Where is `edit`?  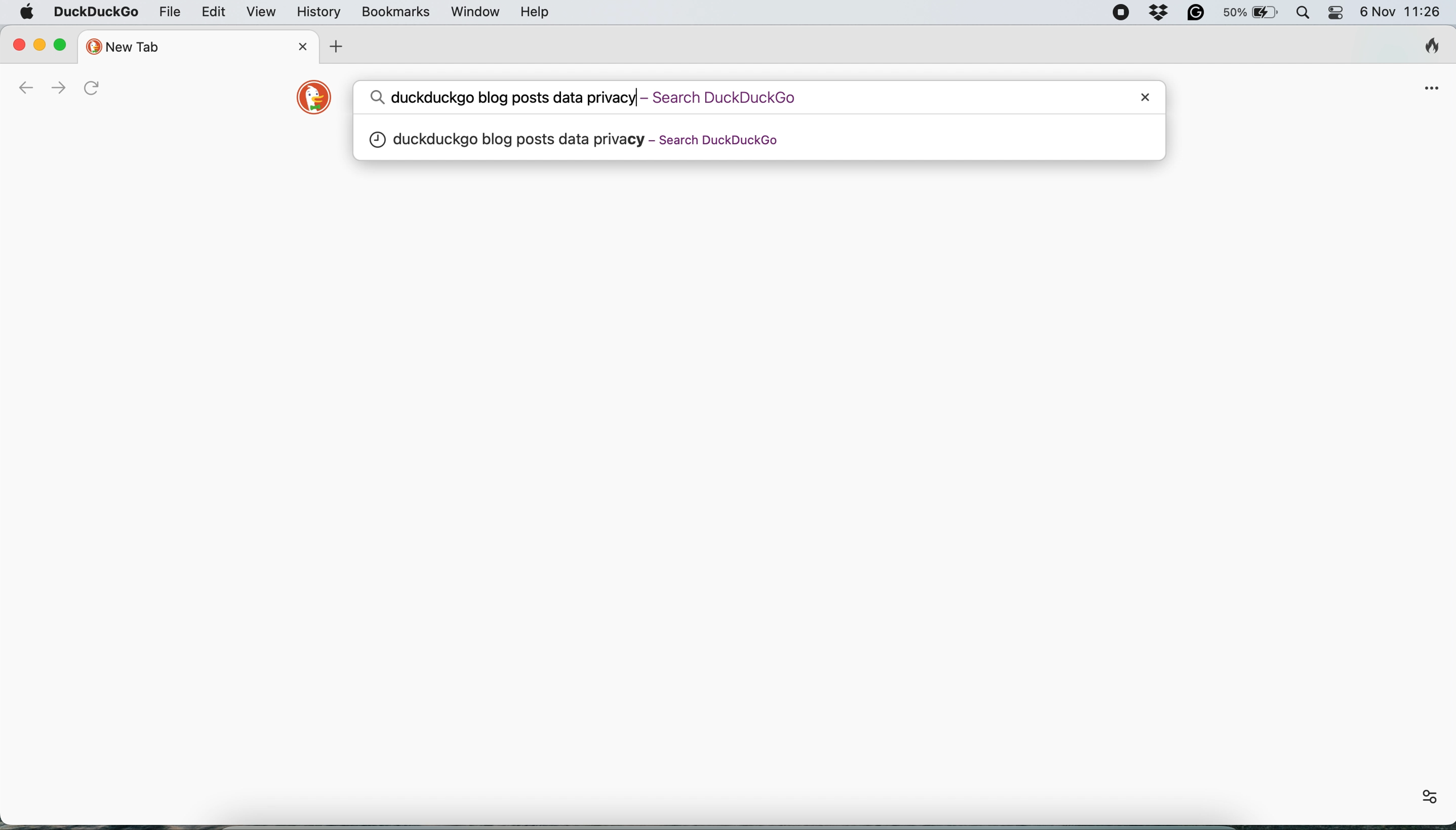
edit is located at coordinates (213, 13).